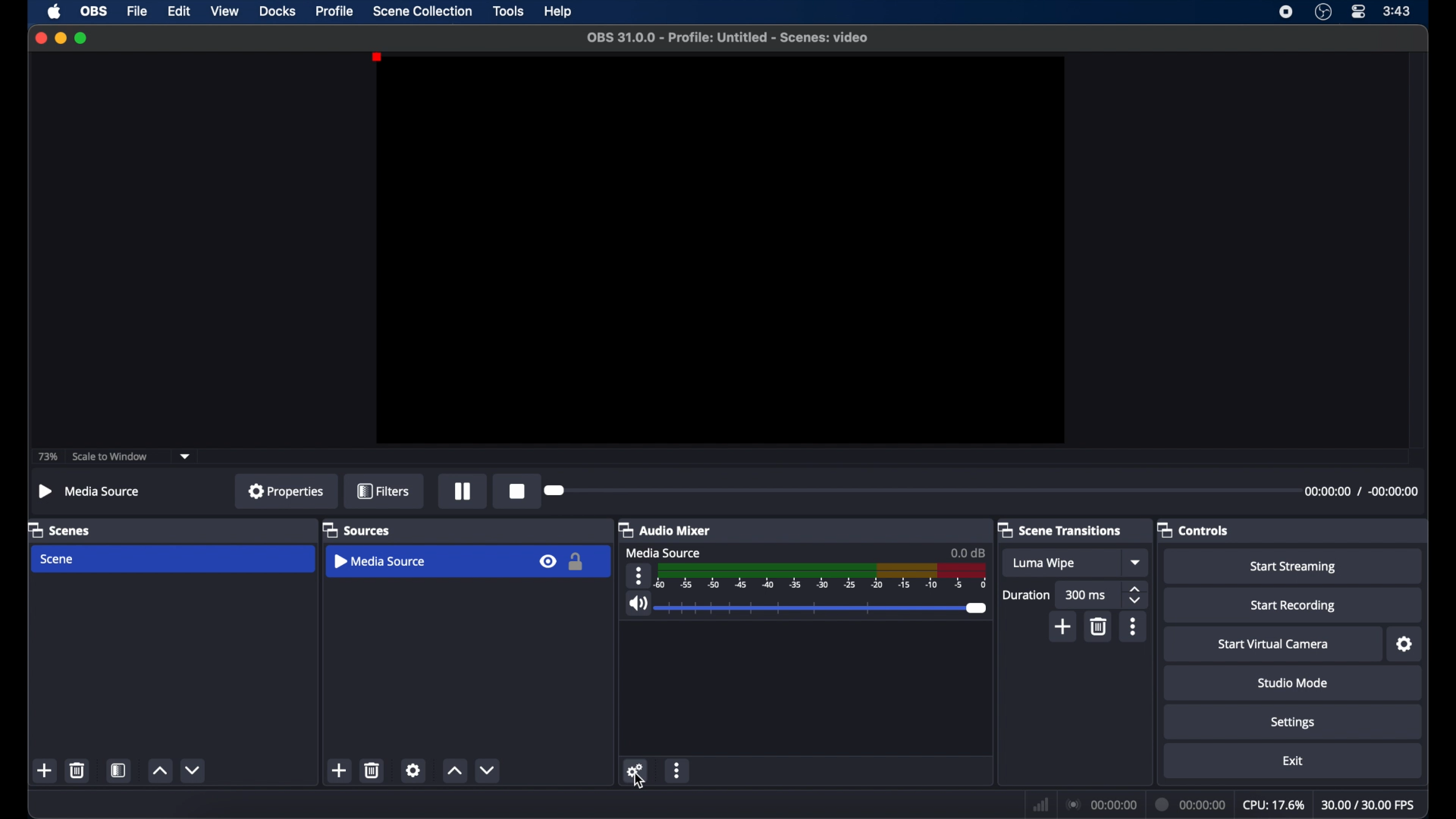 This screenshot has height=819, width=1456. I want to click on sources, so click(356, 531).